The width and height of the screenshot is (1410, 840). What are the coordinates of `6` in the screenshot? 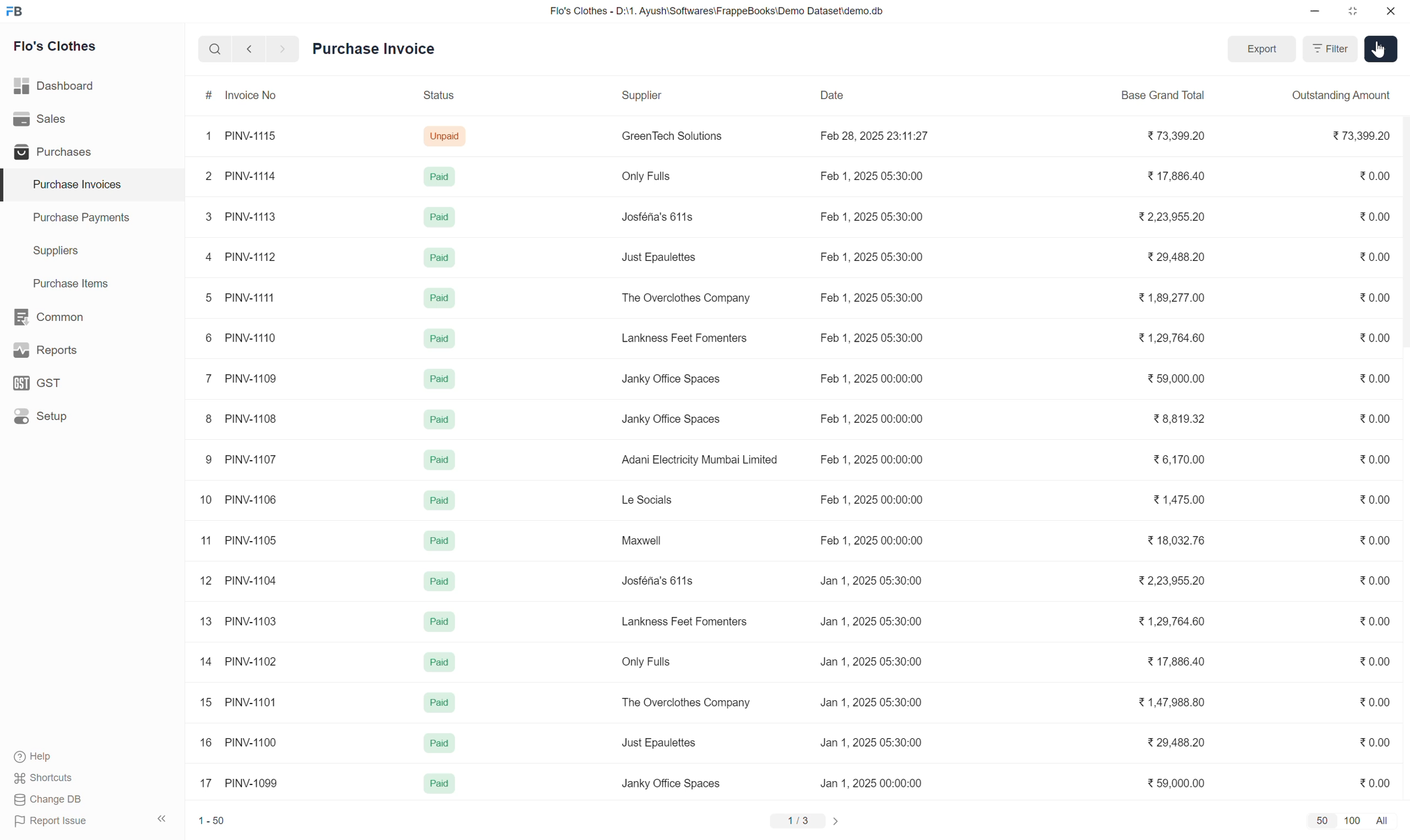 It's located at (205, 338).